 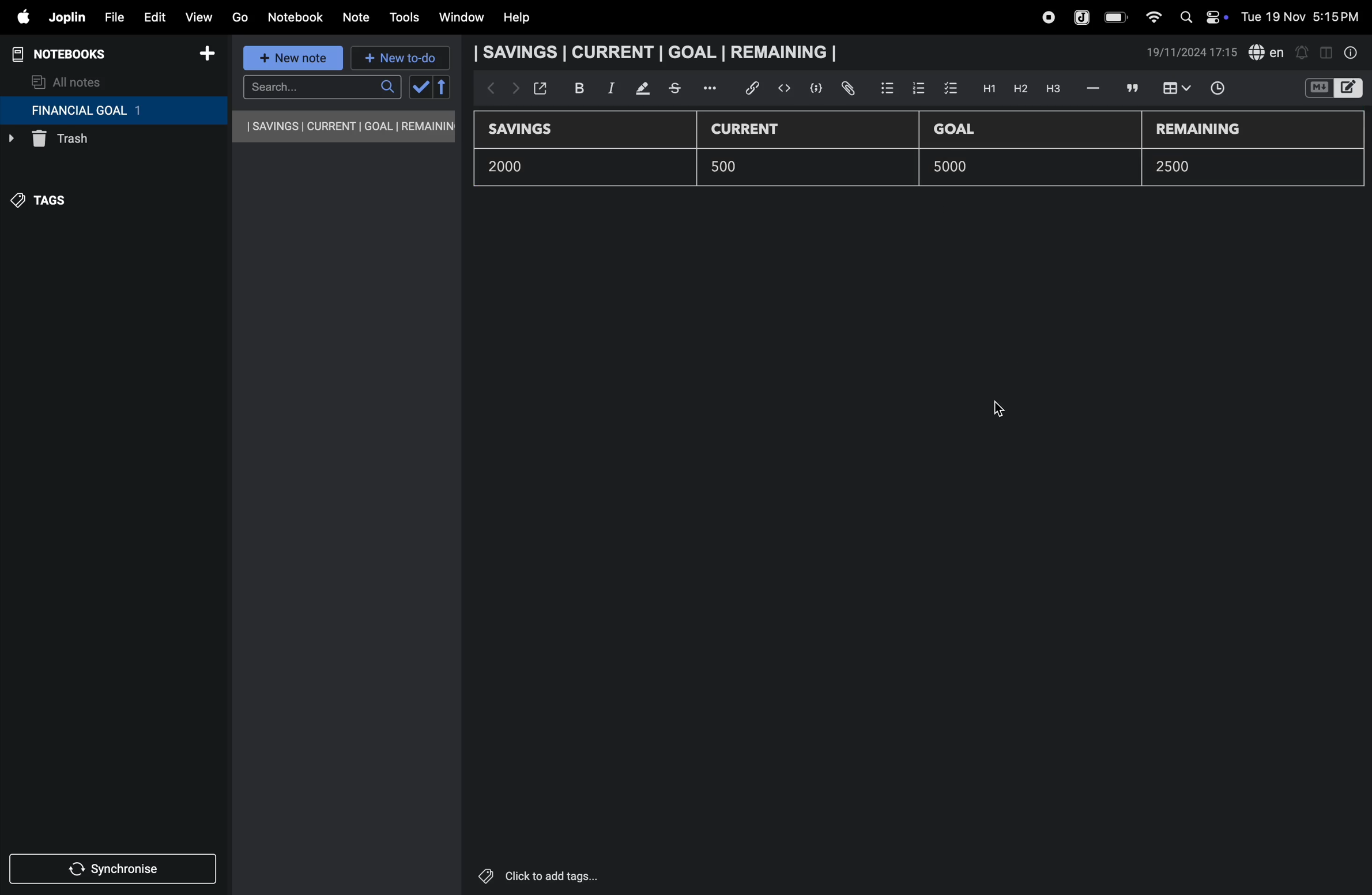 What do you see at coordinates (573, 88) in the screenshot?
I see `bold` at bounding box center [573, 88].